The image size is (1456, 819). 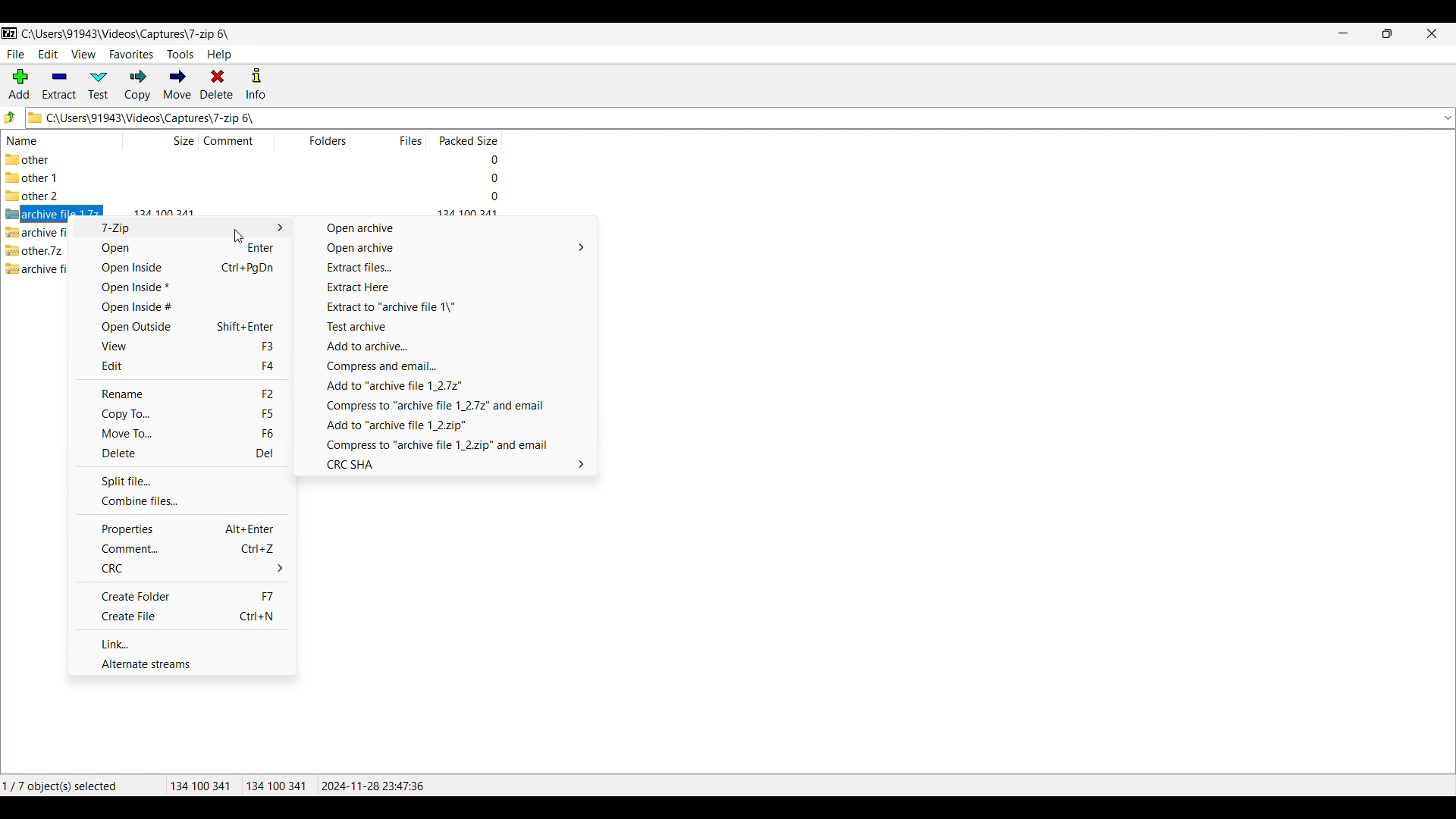 I want to click on 7-Zip, so click(x=180, y=227).